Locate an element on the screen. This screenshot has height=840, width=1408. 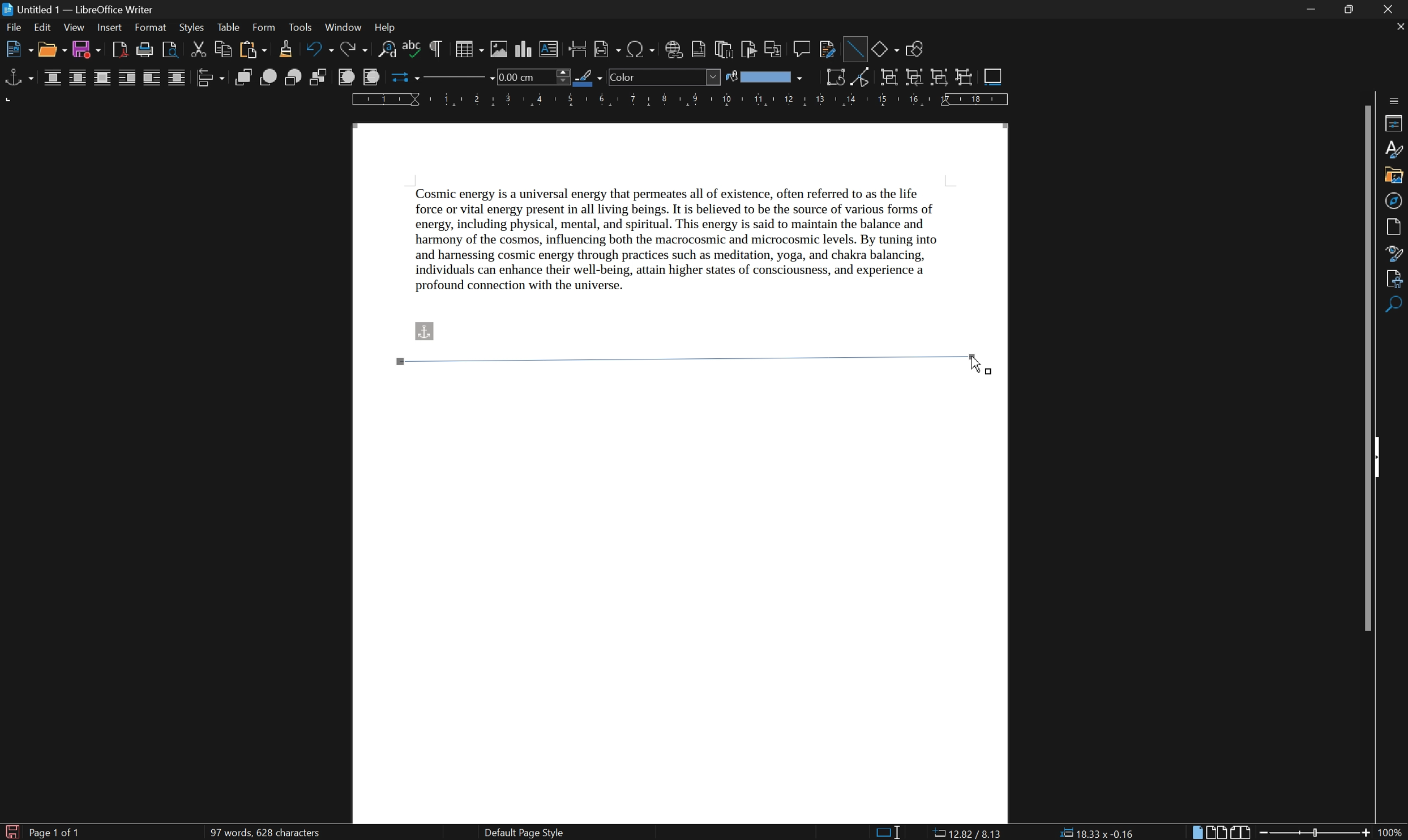
clone formatting is located at coordinates (285, 49).